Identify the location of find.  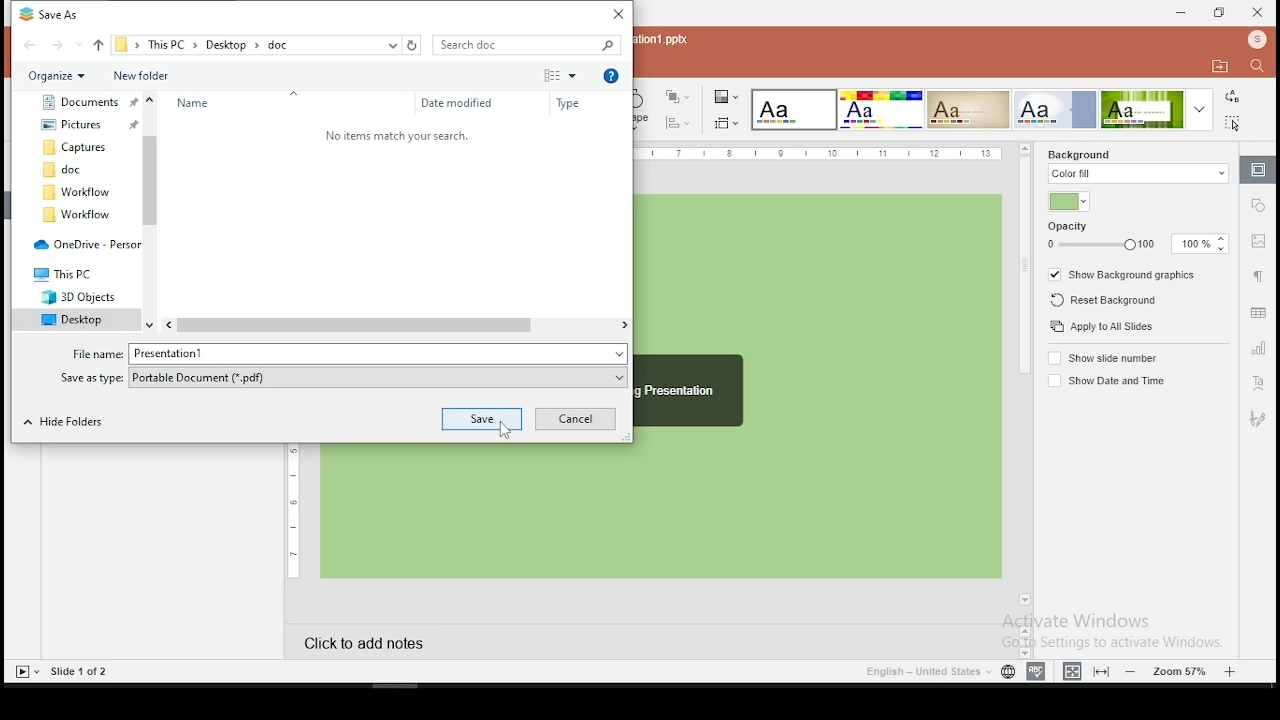
(1257, 66).